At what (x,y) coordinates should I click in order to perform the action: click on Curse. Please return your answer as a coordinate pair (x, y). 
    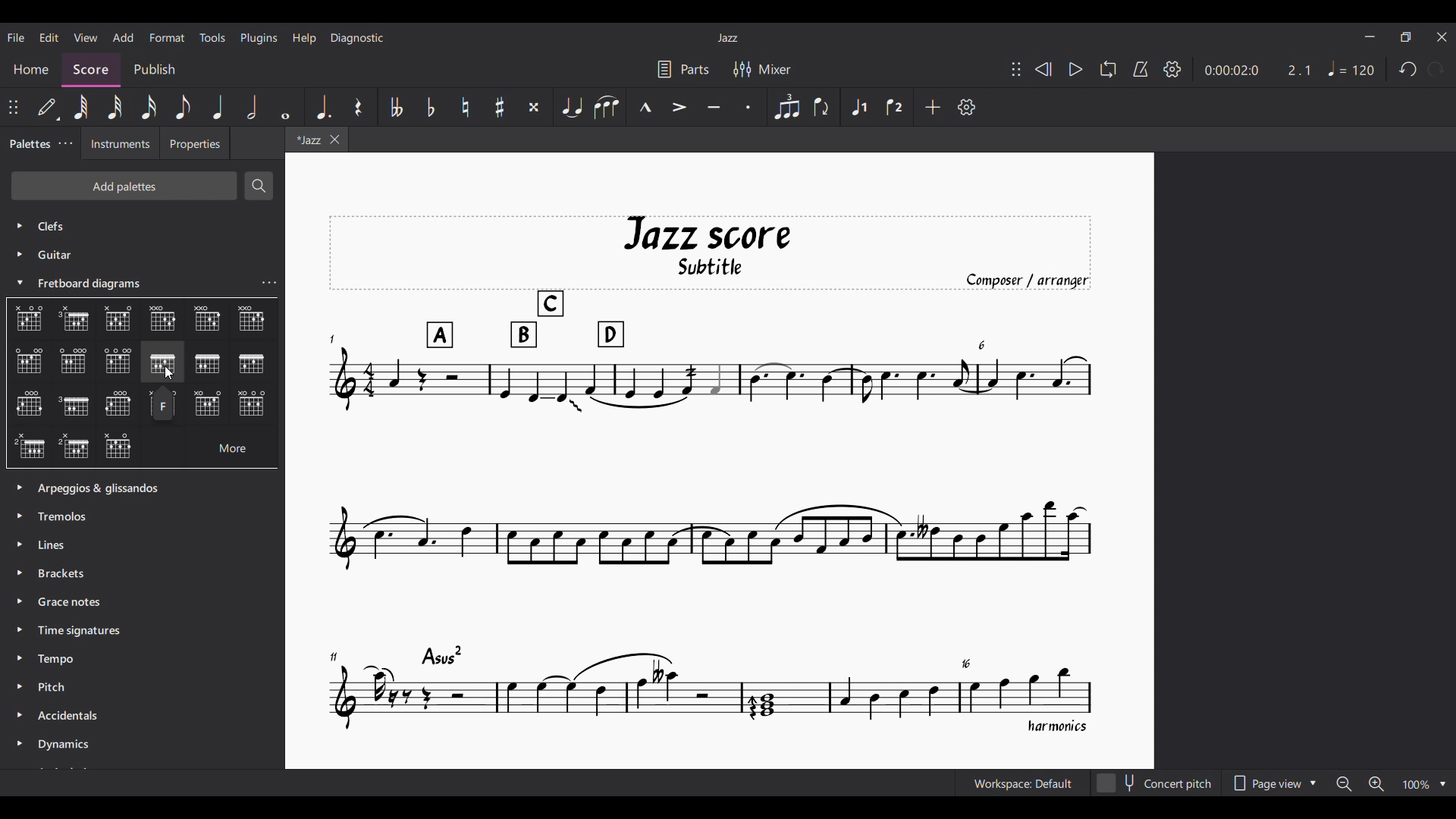
    Looking at the image, I should click on (169, 372).